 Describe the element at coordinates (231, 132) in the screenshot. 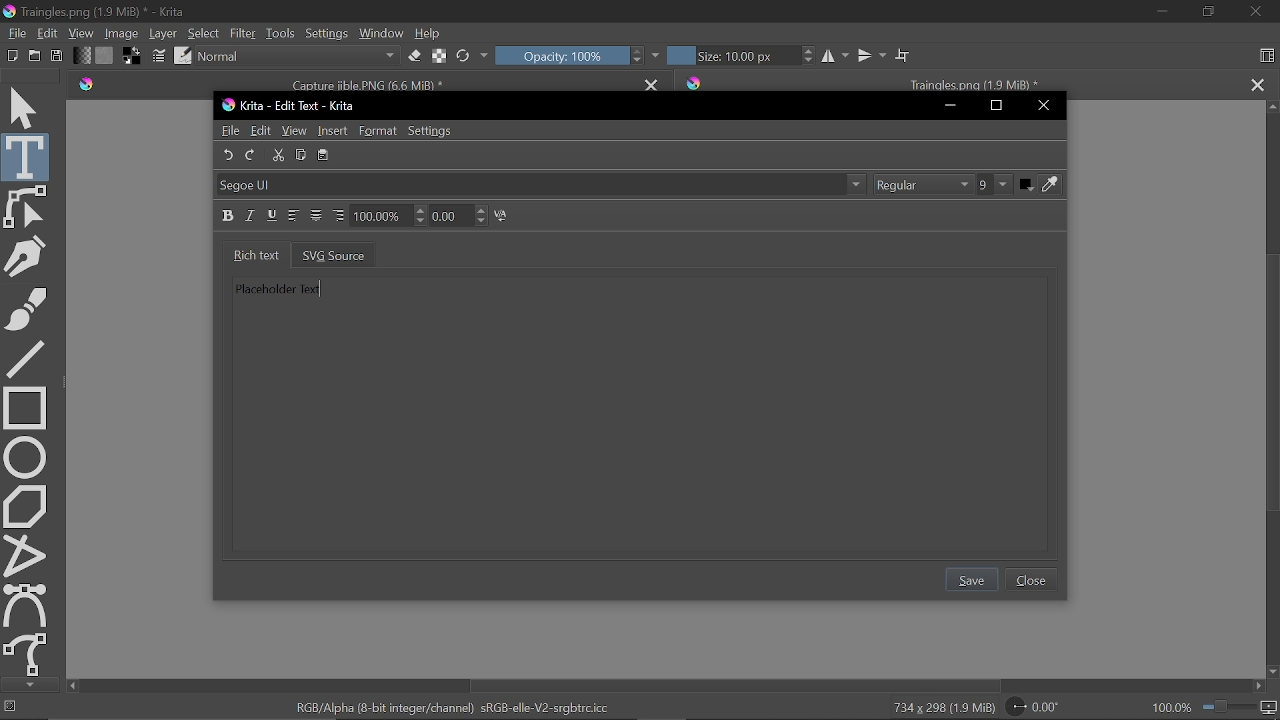

I see `File` at that location.